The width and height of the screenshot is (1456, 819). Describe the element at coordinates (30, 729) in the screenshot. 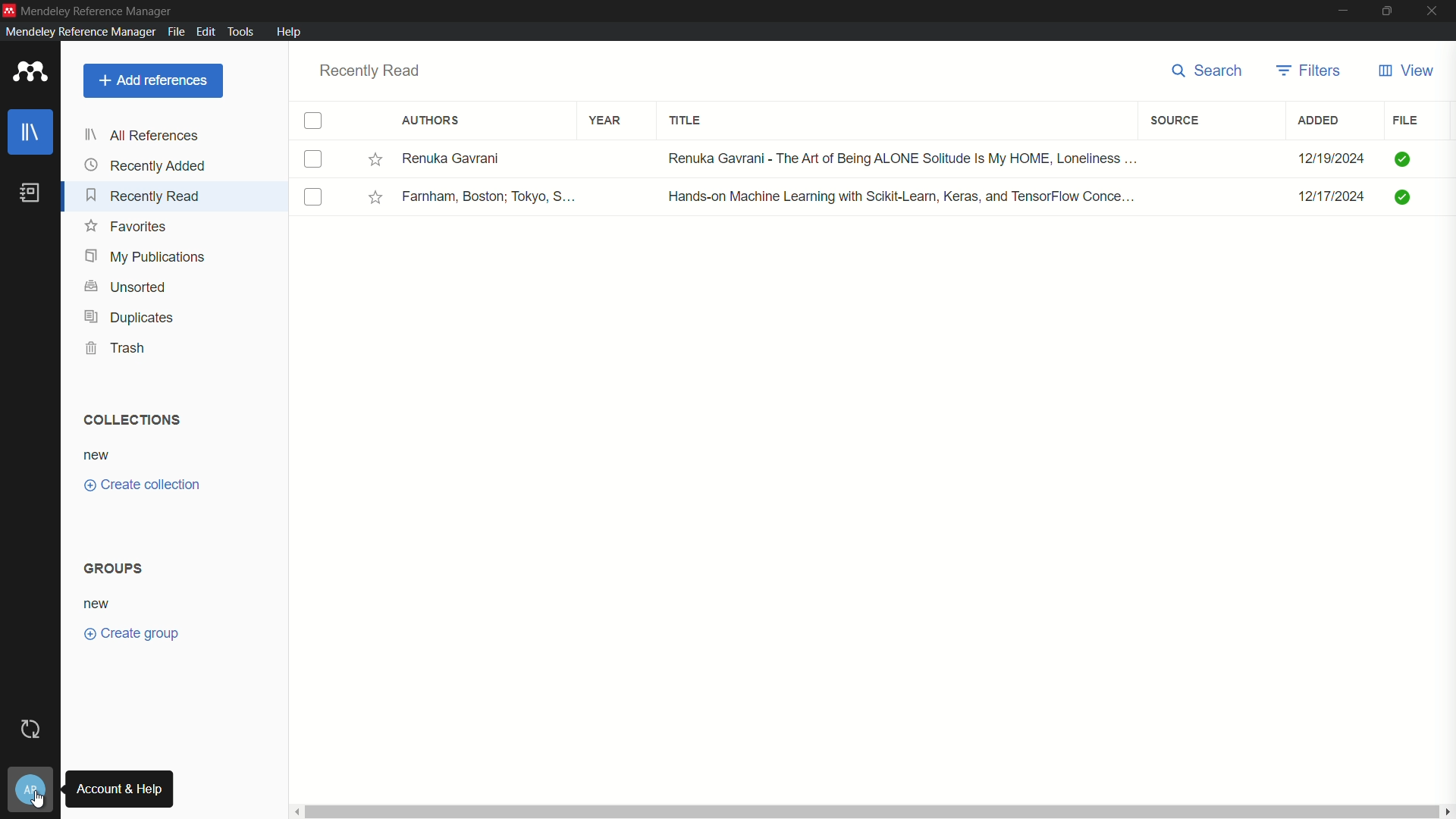

I see `sync` at that location.